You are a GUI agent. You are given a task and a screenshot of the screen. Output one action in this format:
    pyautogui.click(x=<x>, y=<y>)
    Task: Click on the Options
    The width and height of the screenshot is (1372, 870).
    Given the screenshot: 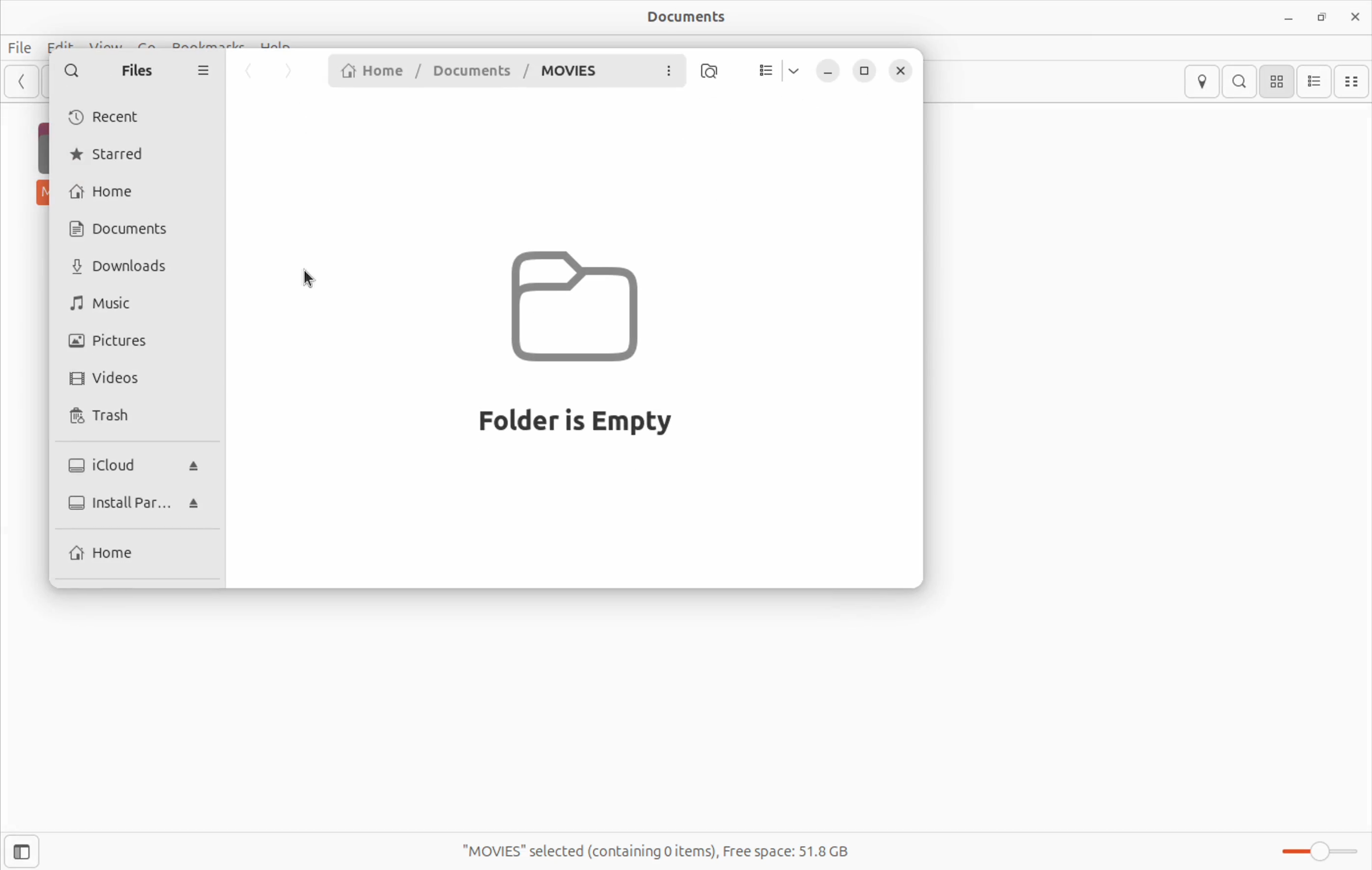 What is the action you would take?
    pyautogui.click(x=671, y=71)
    